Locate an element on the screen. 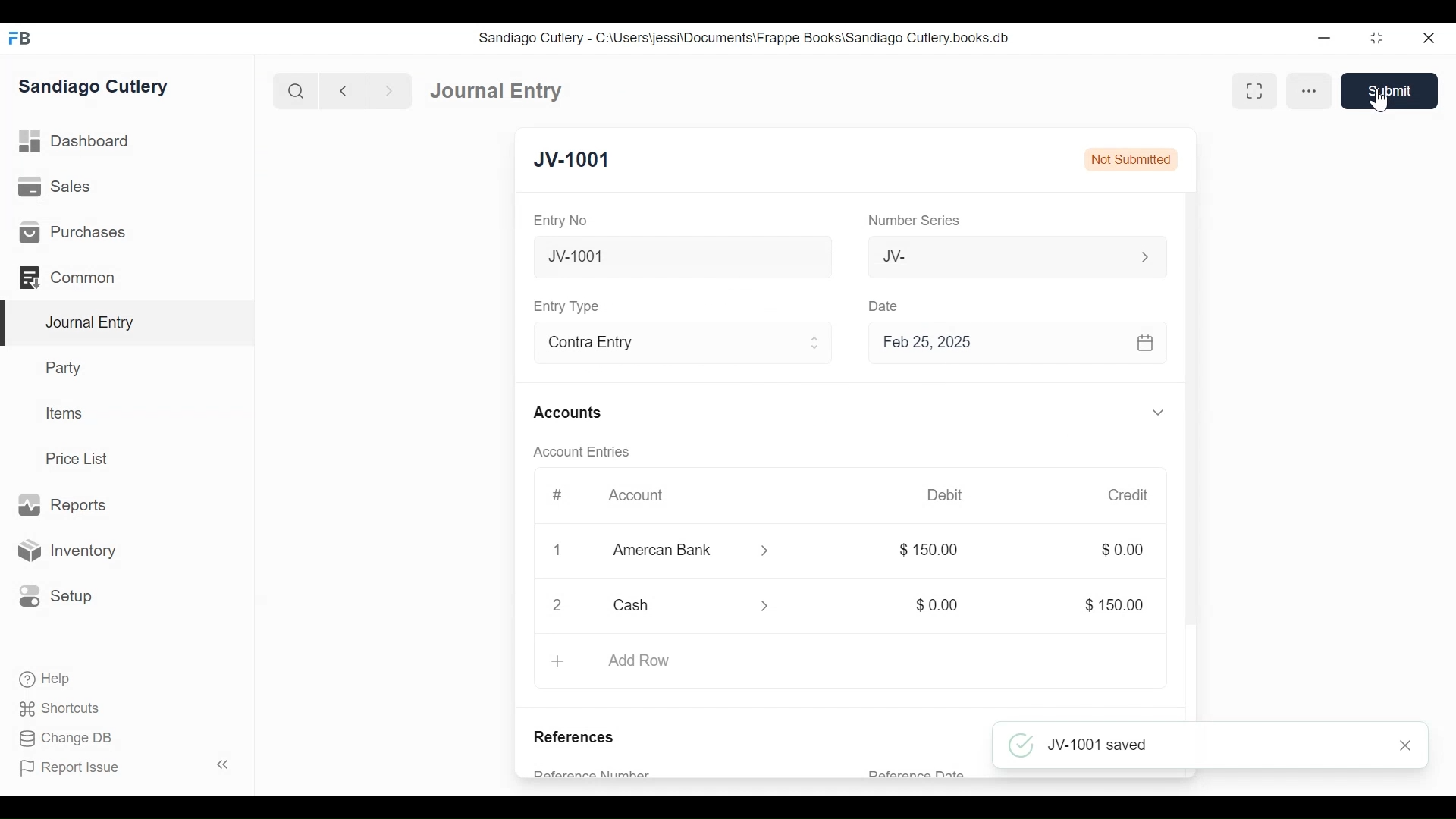 The image size is (1456, 819). $ 150.00 is located at coordinates (931, 551).